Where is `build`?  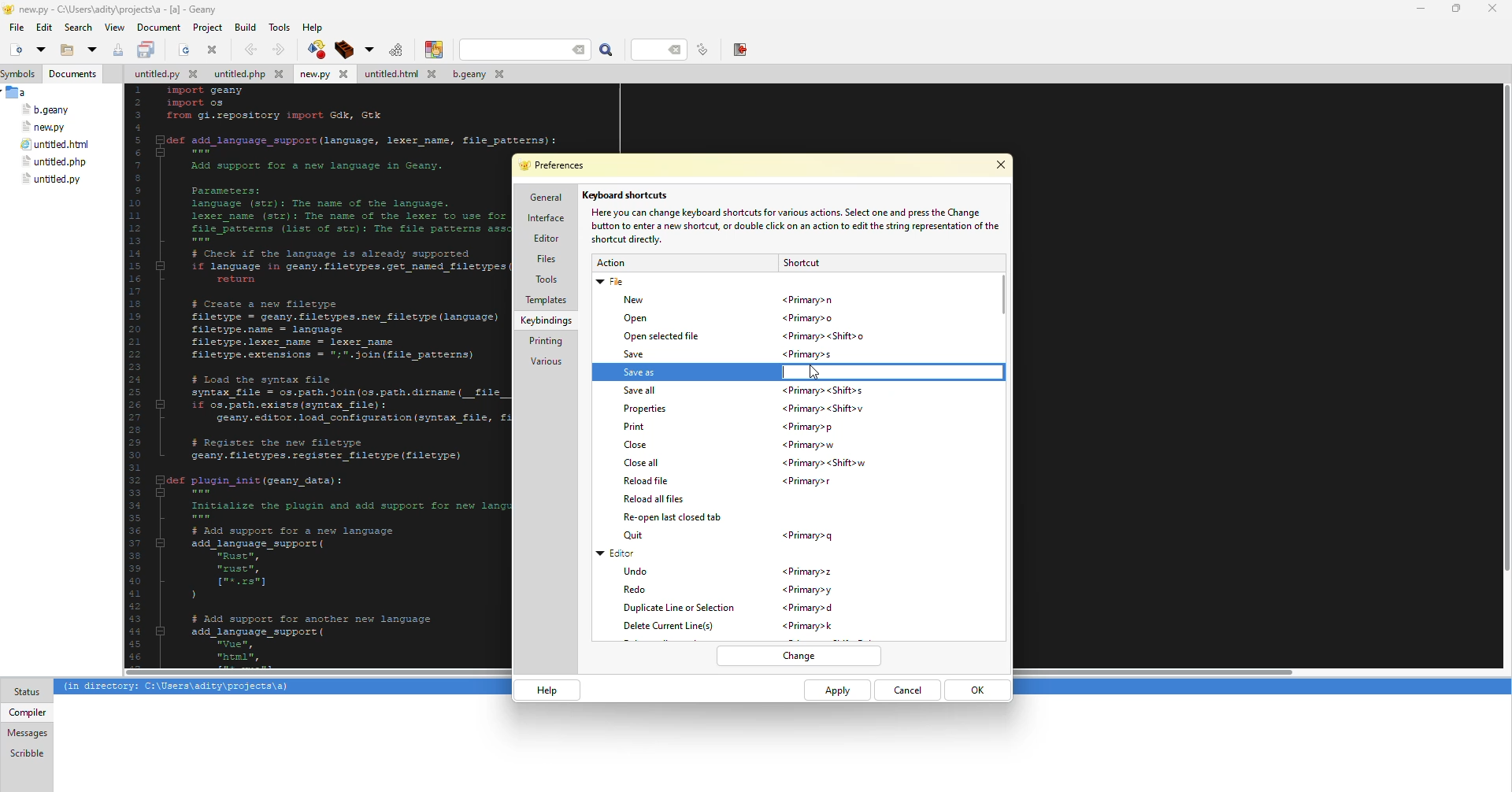 build is located at coordinates (245, 26).